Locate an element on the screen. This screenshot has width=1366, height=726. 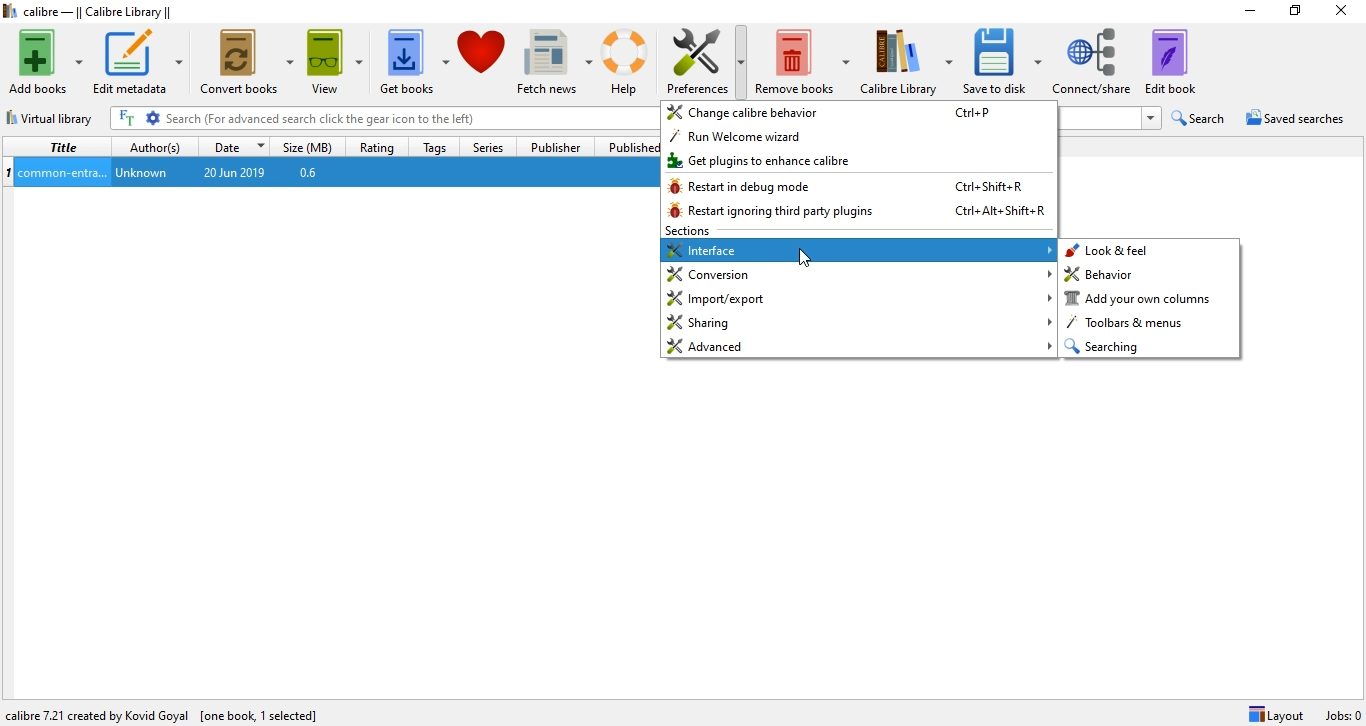
Publisher is located at coordinates (558, 147).